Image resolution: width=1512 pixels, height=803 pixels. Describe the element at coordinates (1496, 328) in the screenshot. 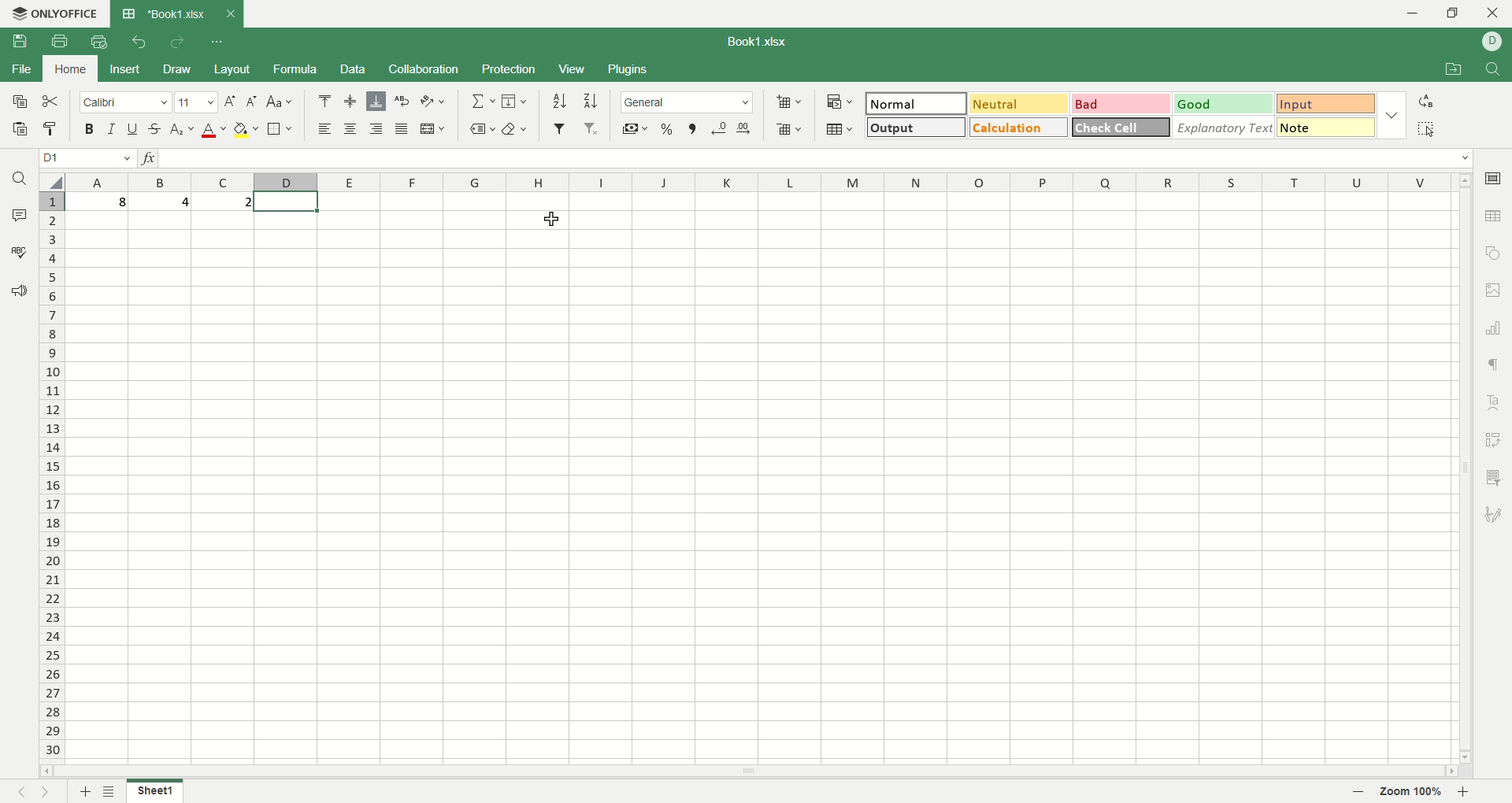

I see `chart settings` at that location.